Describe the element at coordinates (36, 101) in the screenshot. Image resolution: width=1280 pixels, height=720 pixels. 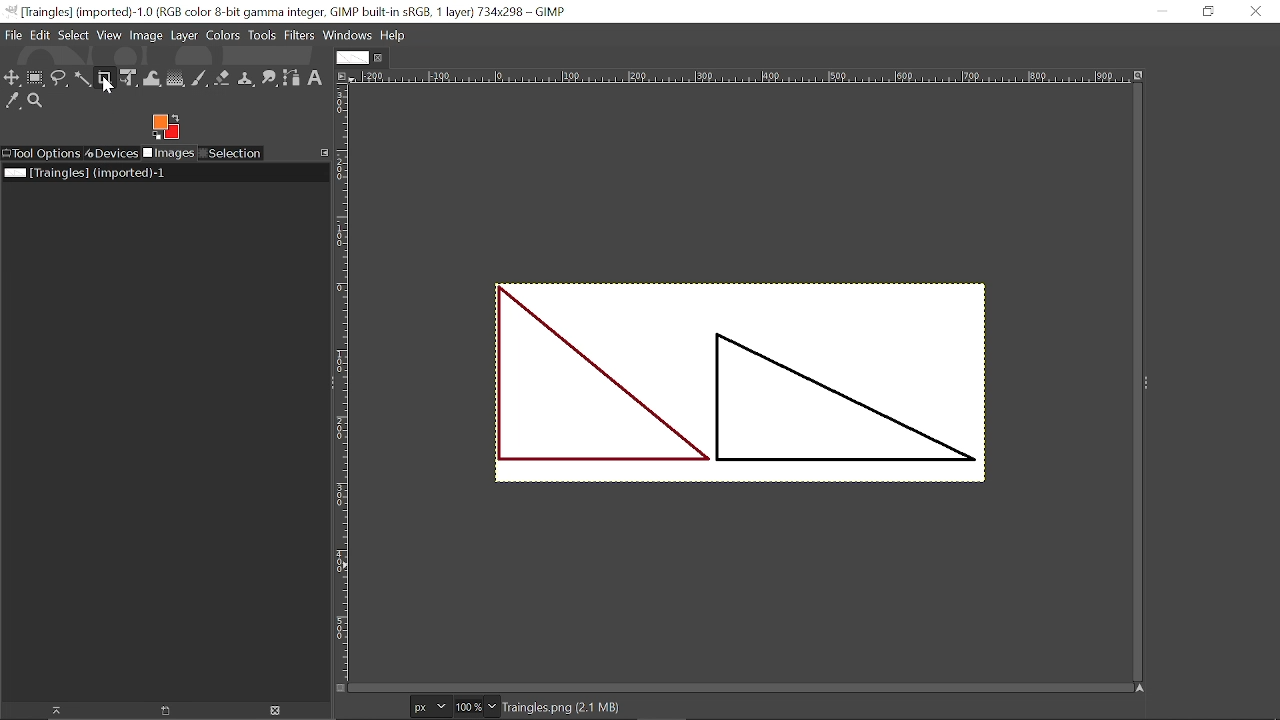
I see `Zoom took` at that location.